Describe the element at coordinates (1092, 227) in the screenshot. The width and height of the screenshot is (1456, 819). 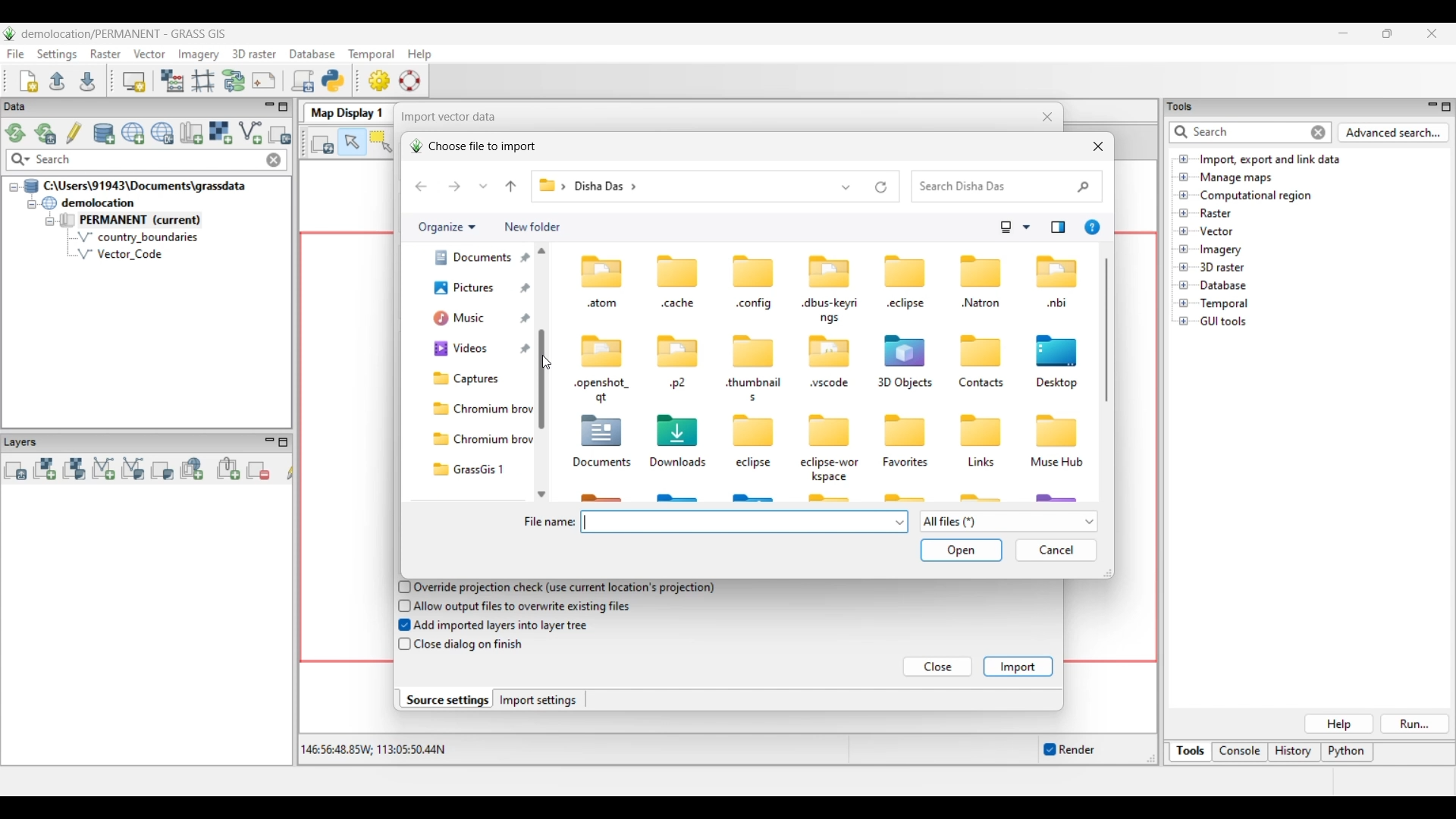
I see `Get help` at that location.